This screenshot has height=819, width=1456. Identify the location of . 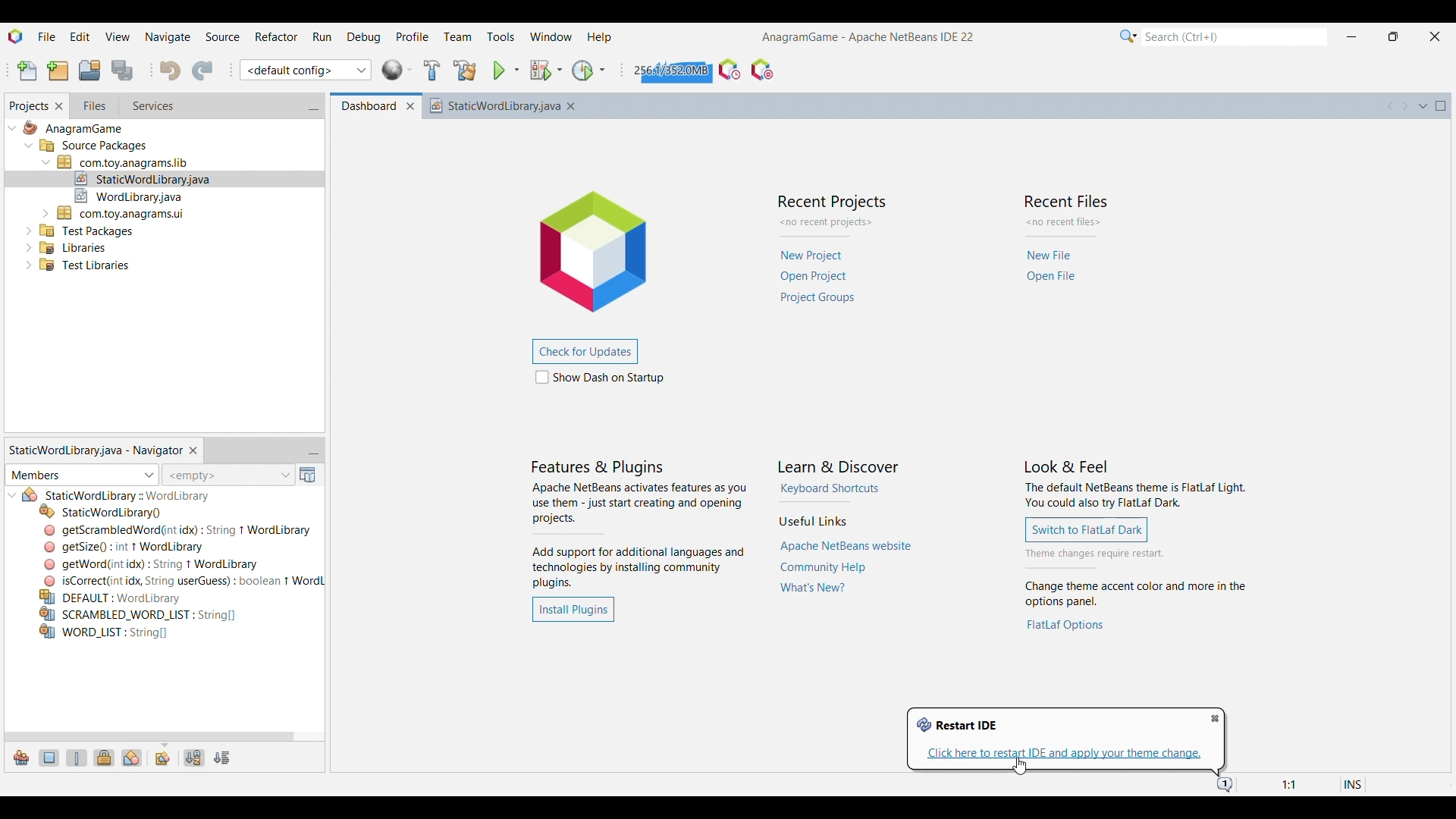
(181, 580).